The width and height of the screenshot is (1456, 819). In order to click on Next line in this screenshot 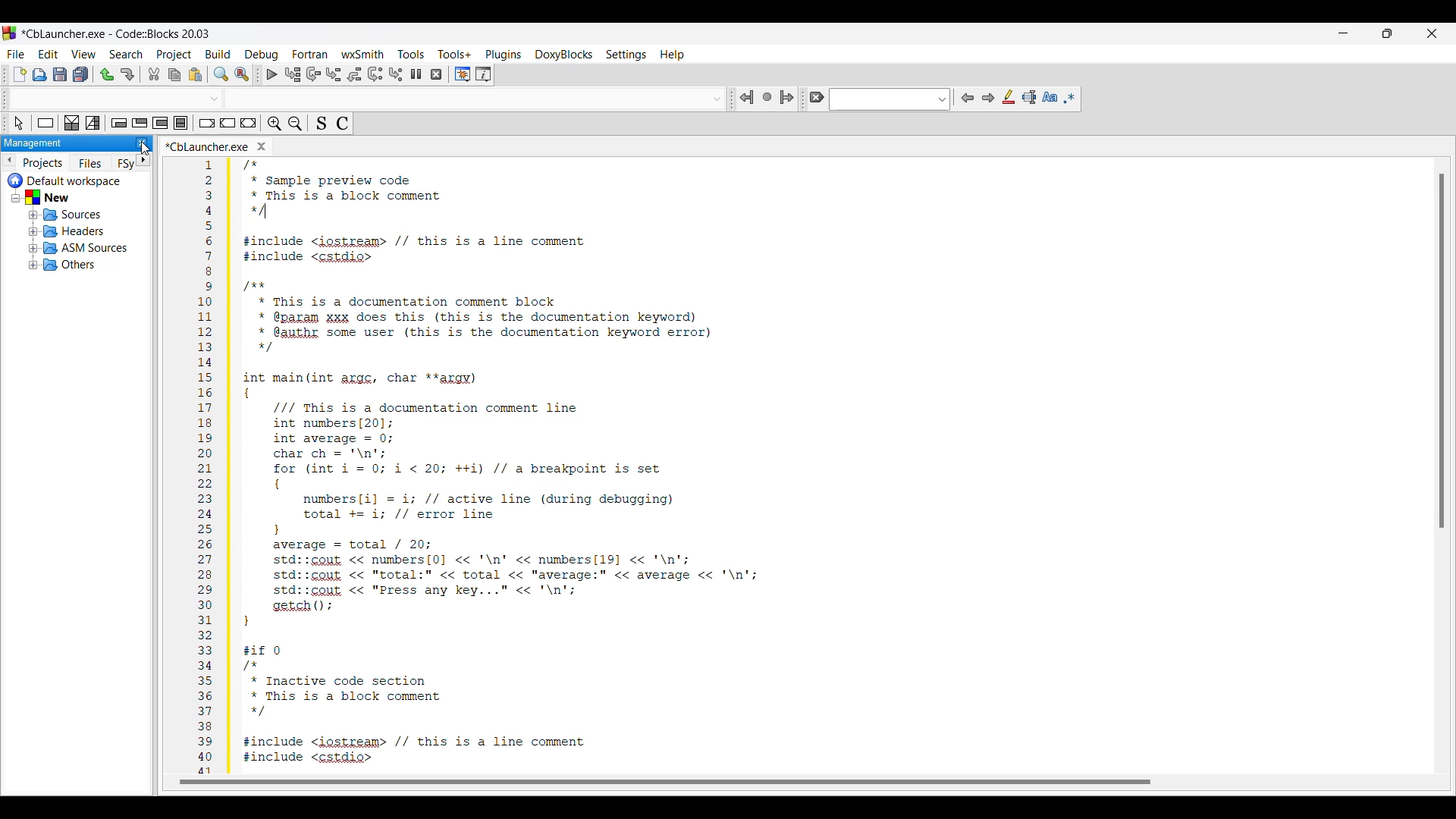, I will do `click(313, 74)`.